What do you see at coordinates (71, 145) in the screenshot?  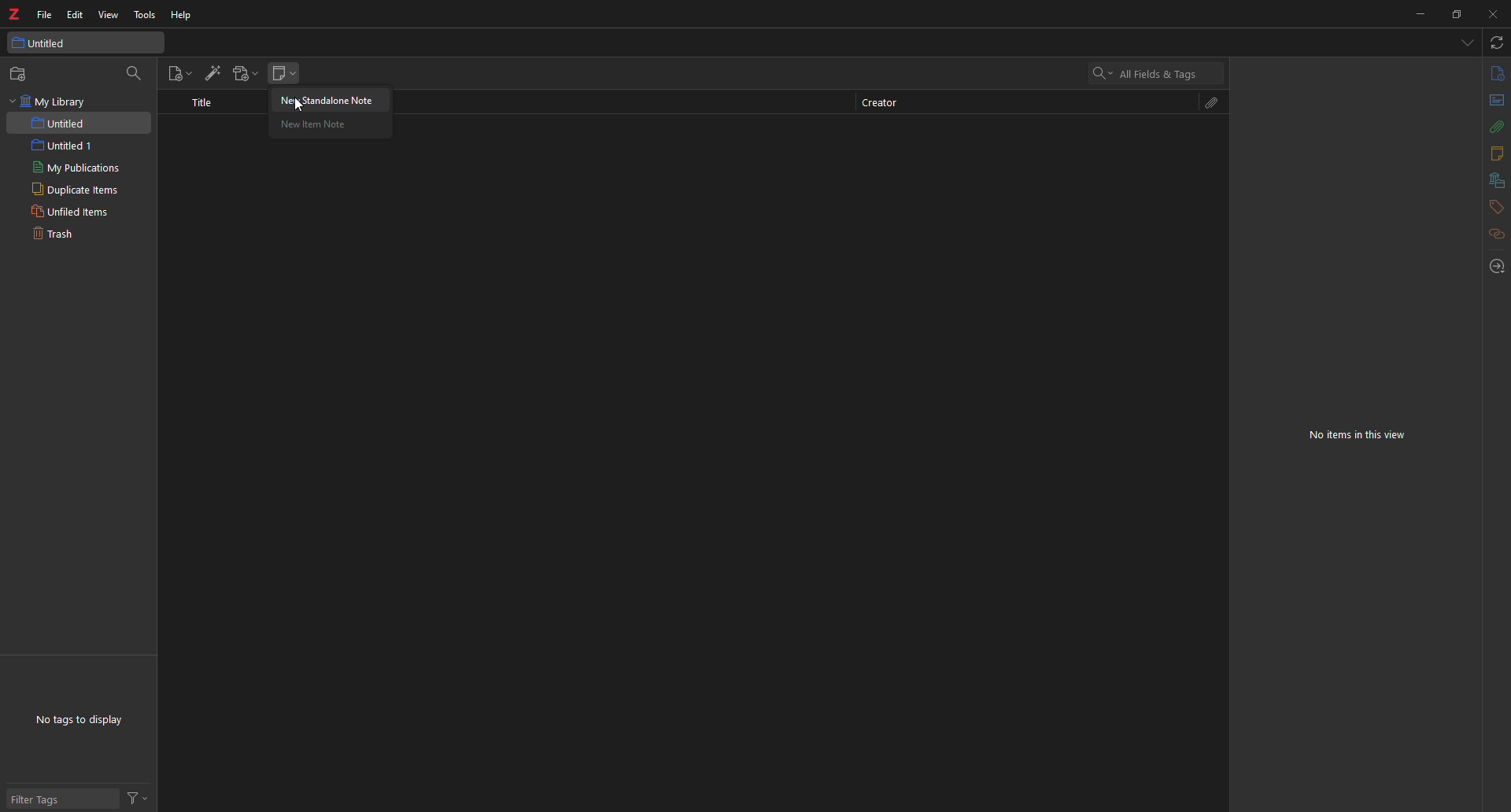 I see `untitled 1` at bounding box center [71, 145].